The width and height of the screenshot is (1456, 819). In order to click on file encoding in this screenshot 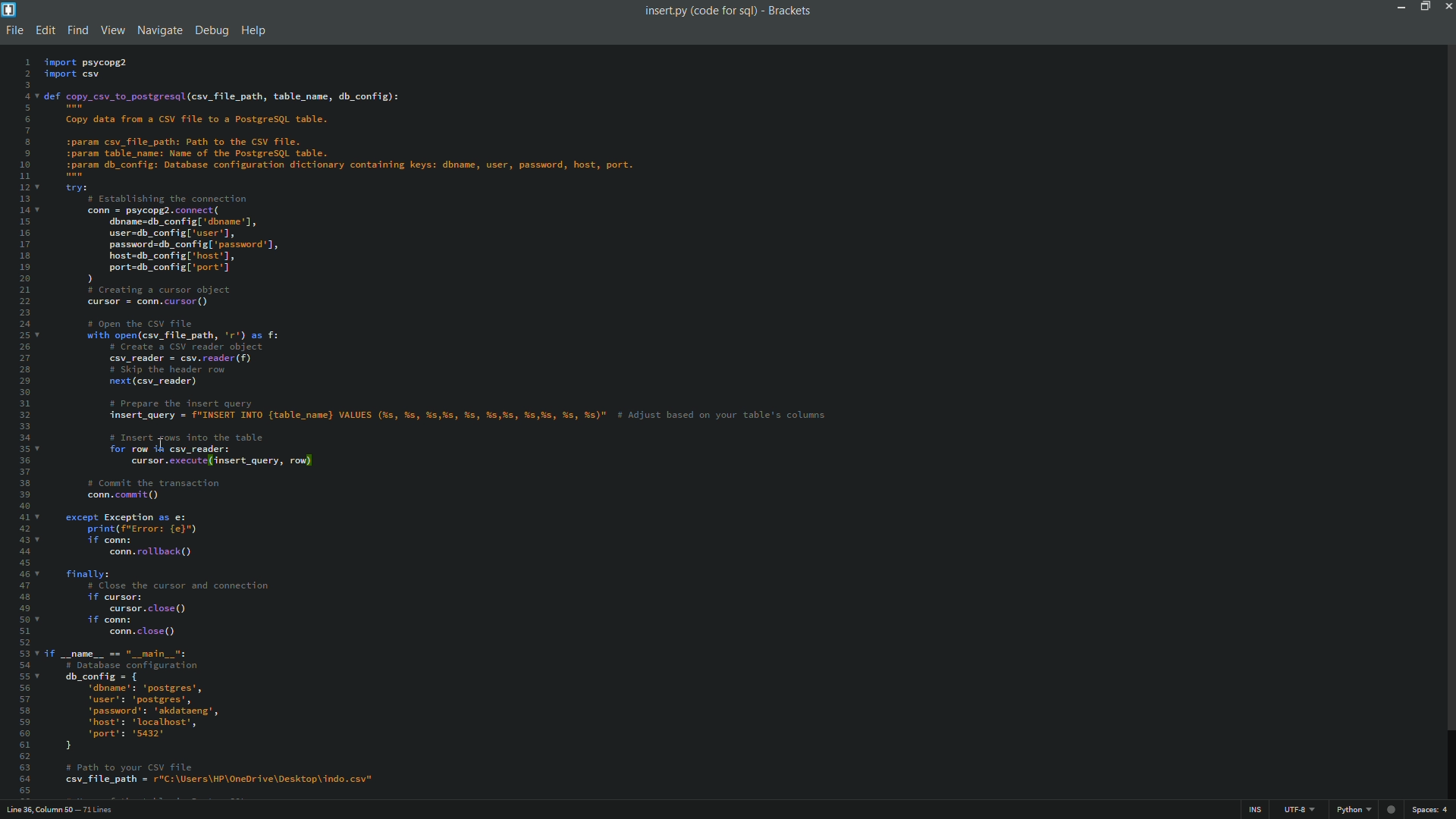, I will do `click(1301, 810)`.